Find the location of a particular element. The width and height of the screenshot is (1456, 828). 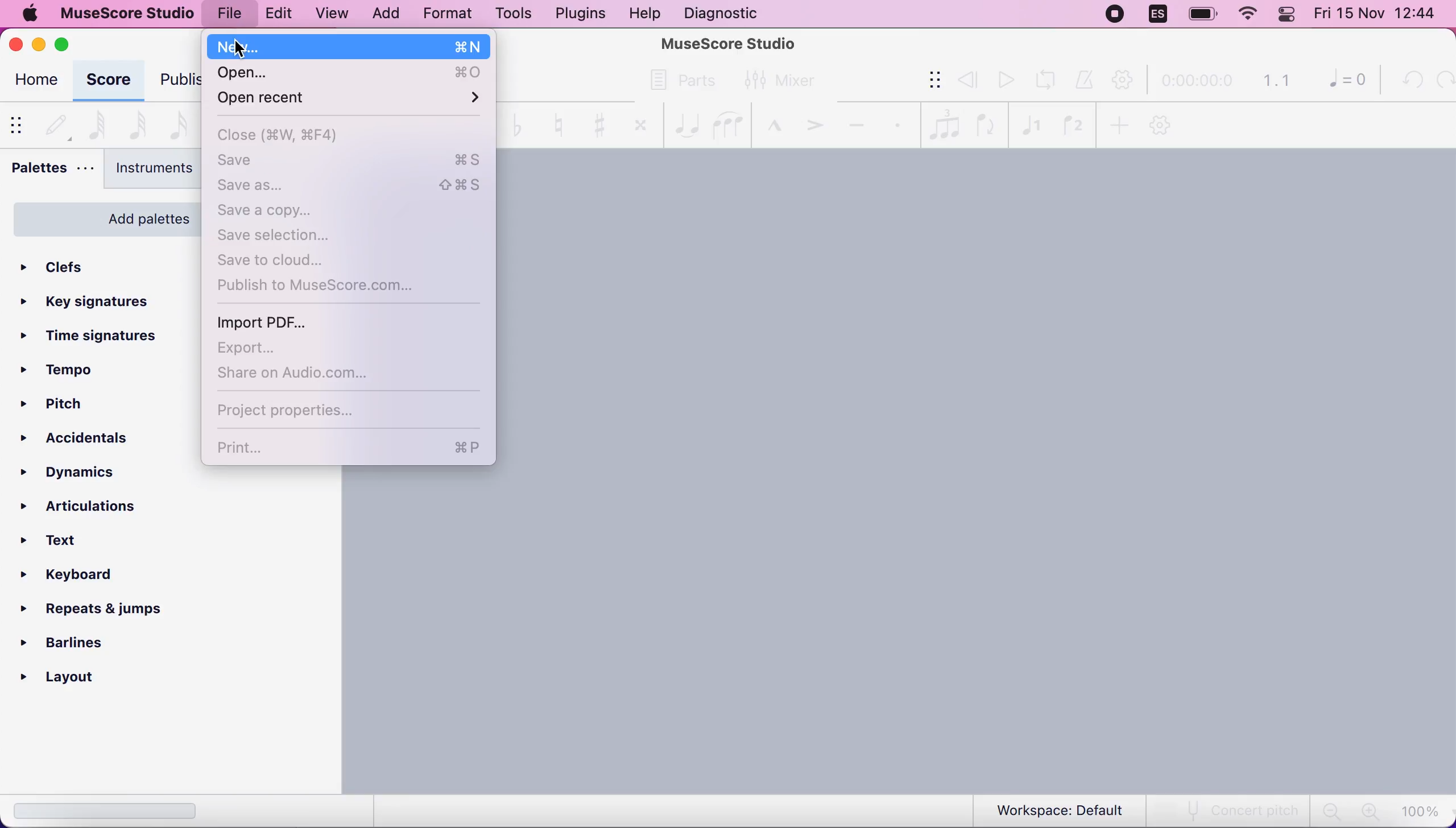

help is located at coordinates (644, 14).